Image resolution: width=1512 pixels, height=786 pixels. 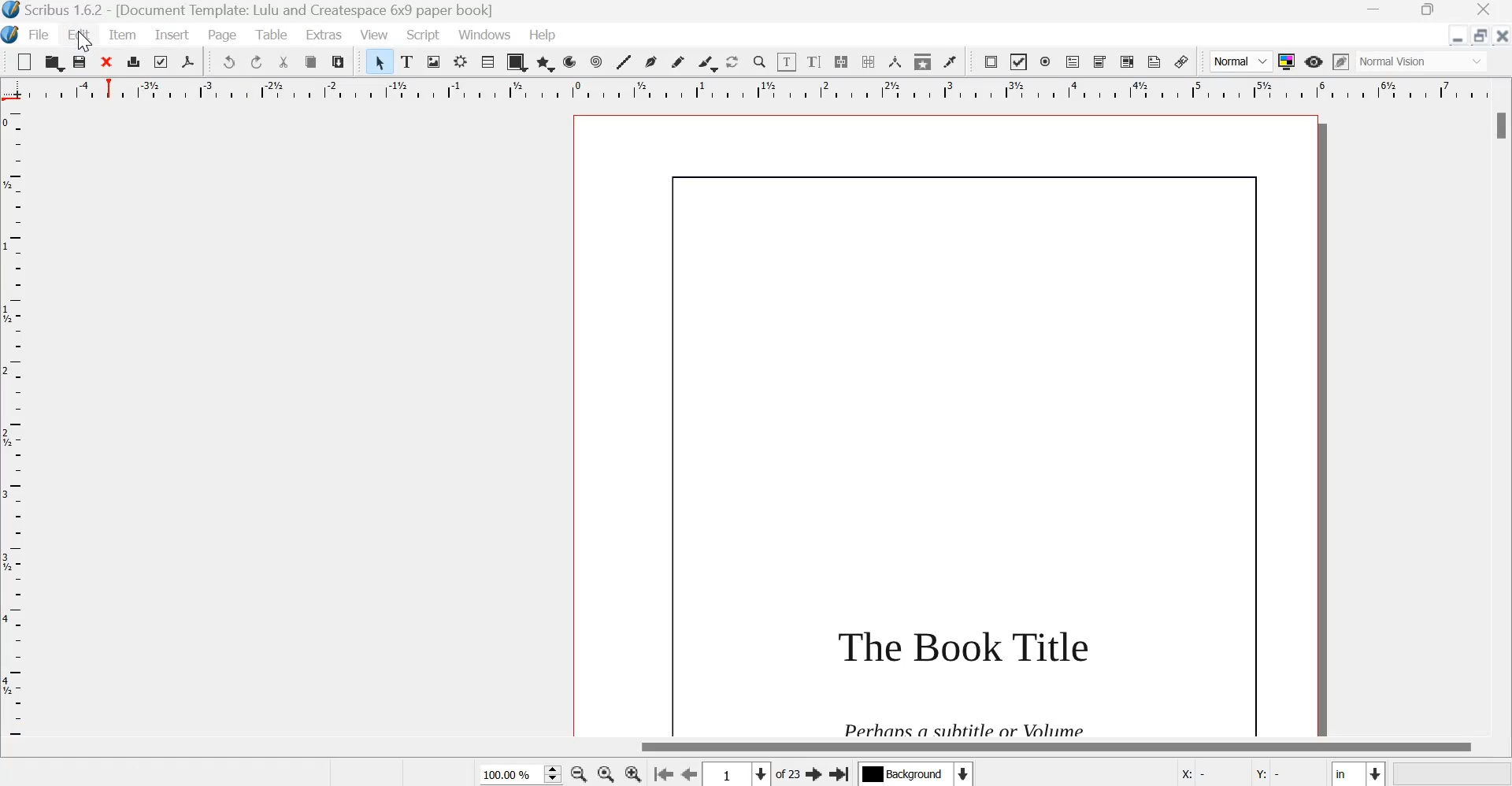 What do you see at coordinates (651, 62) in the screenshot?
I see `Bezier curve` at bounding box center [651, 62].